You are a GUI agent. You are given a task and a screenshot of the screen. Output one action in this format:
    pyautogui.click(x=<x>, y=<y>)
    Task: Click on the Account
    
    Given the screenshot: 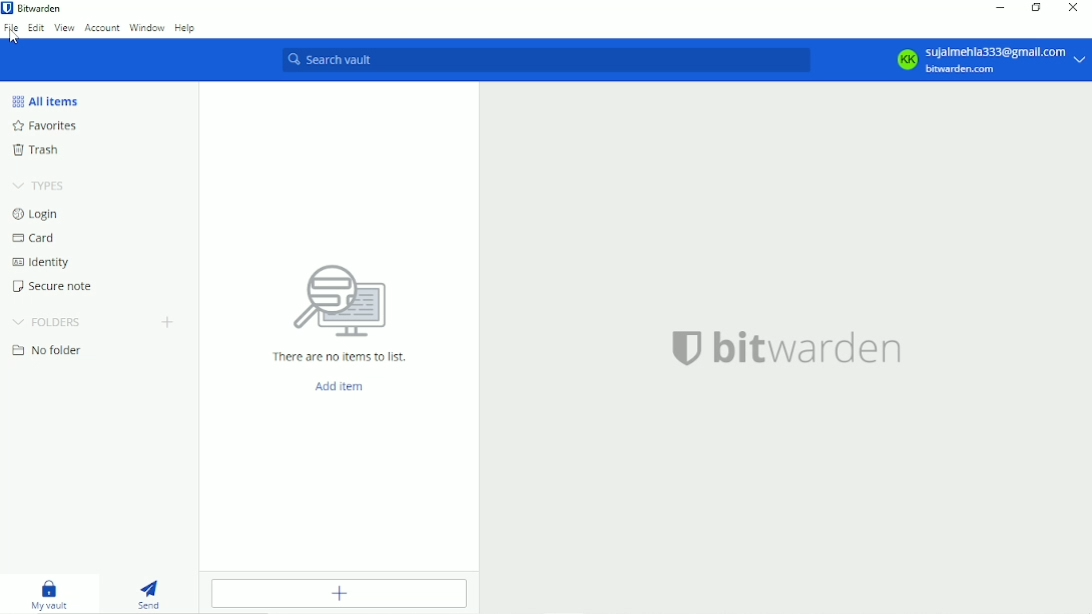 What is the action you would take?
    pyautogui.click(x=102, y=26)
    